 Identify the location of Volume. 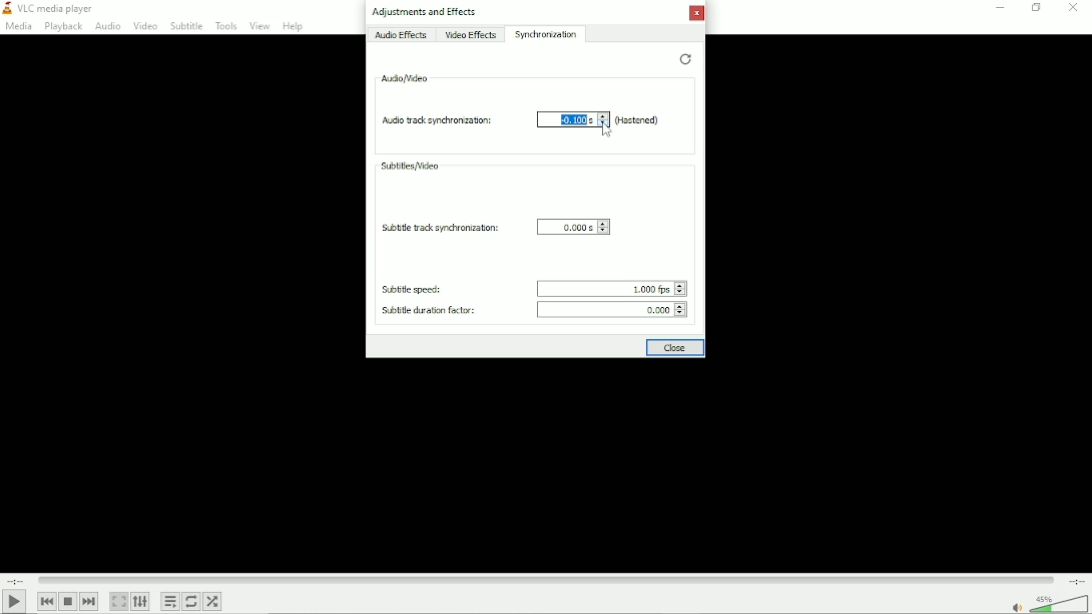
(1049, 604).